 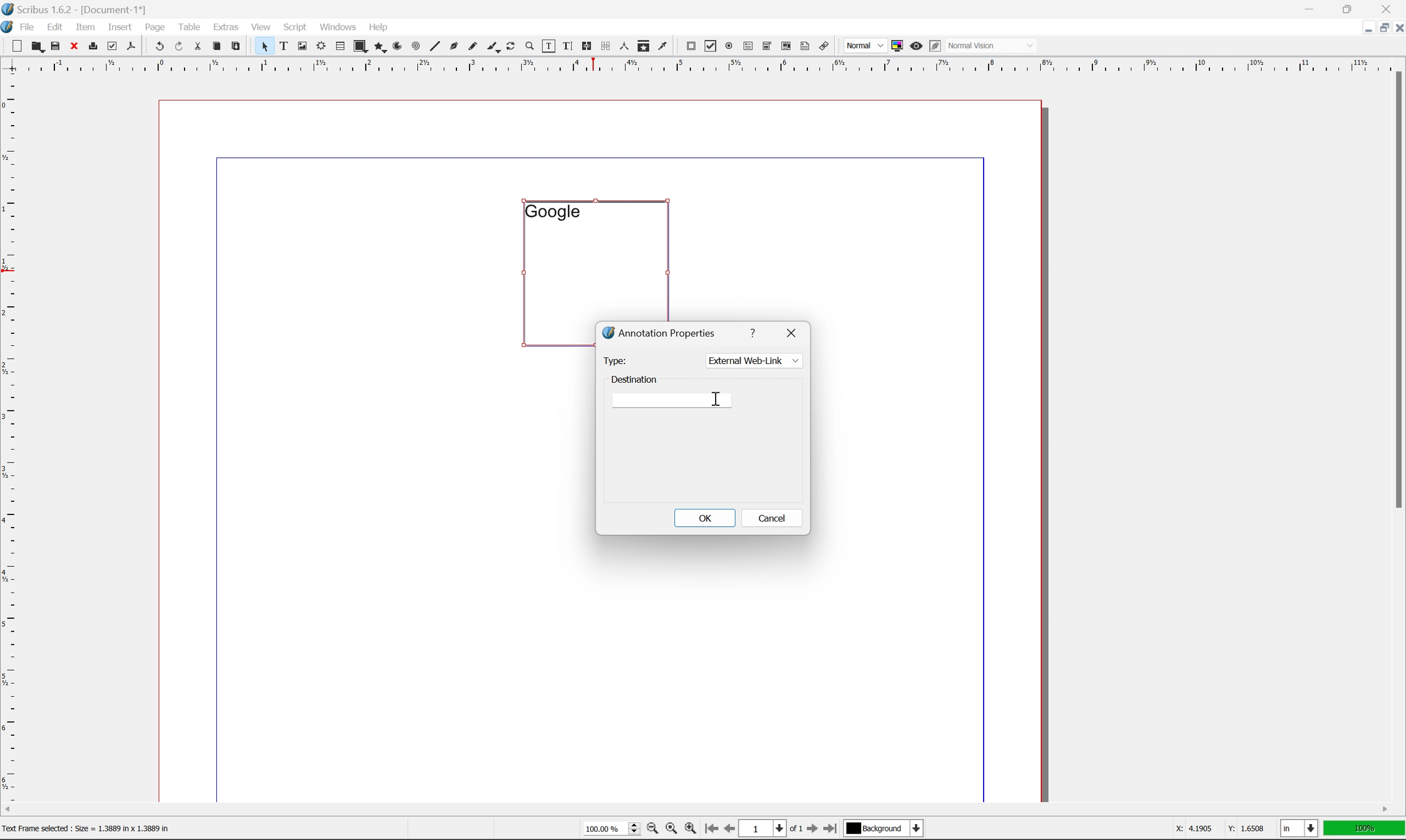 I want to click on normal, so click(x=864, y=45).